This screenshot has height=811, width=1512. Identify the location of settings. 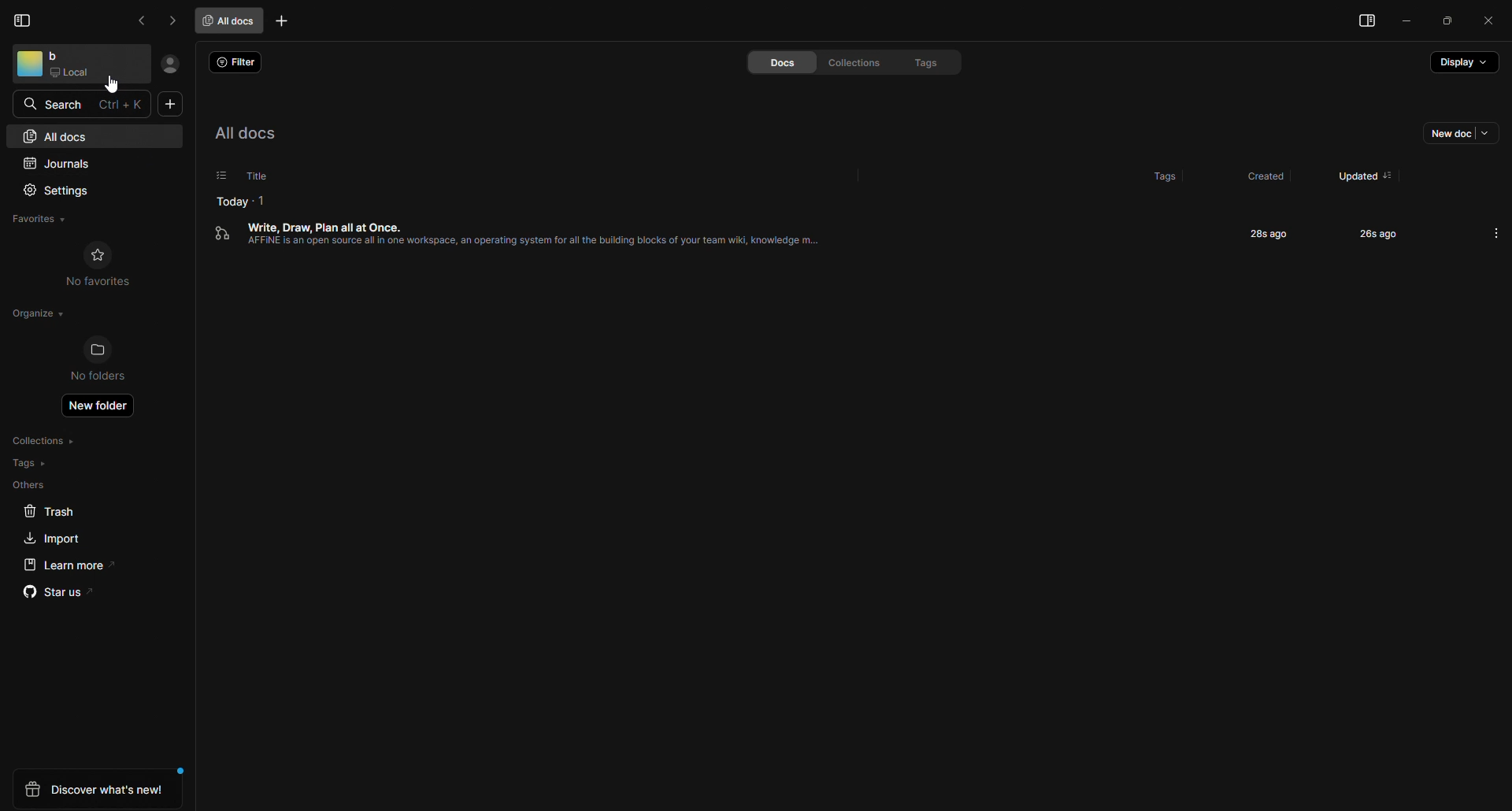
(61, 189).